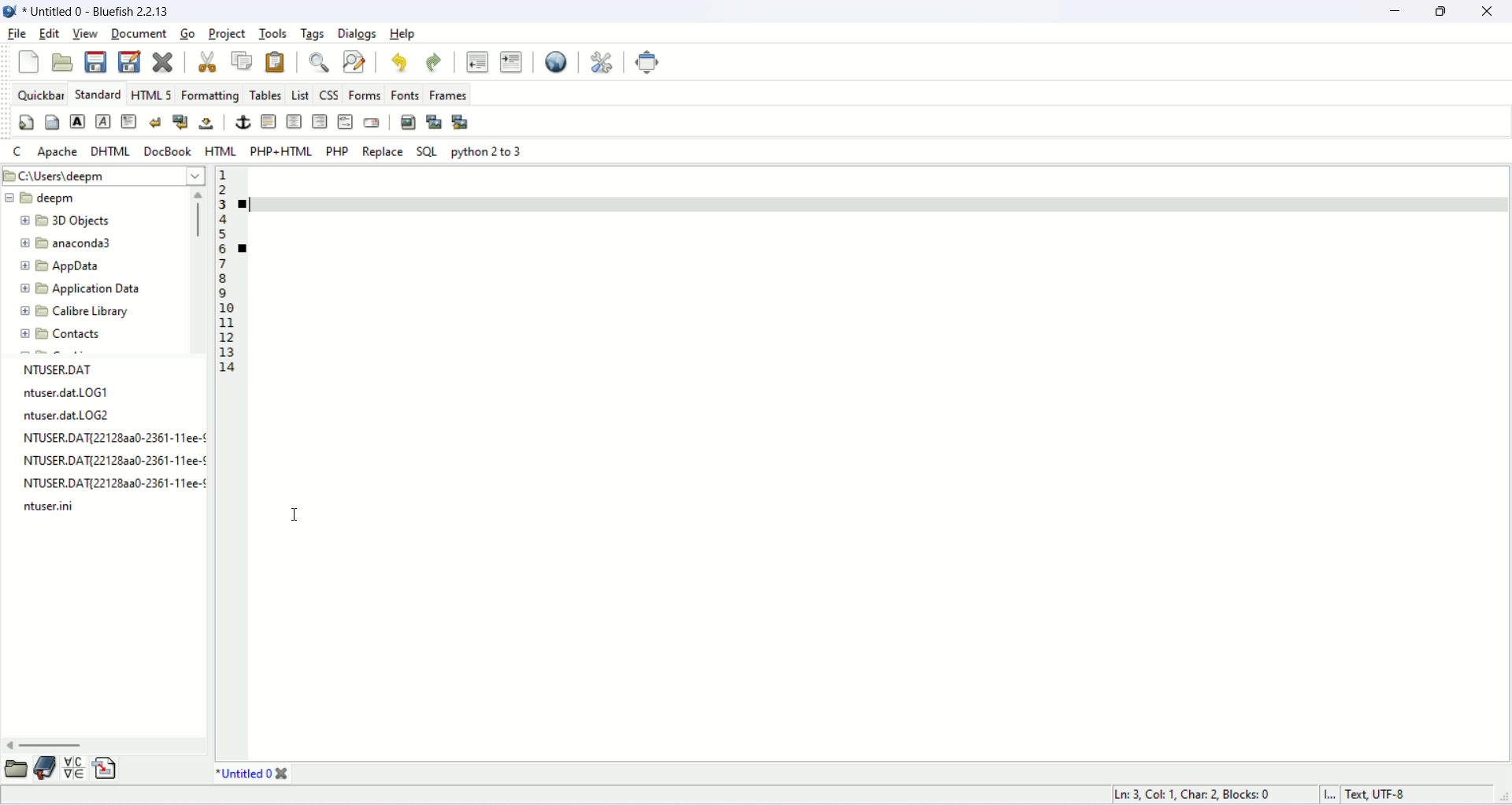  I want to click on close, so click(1493, 12).